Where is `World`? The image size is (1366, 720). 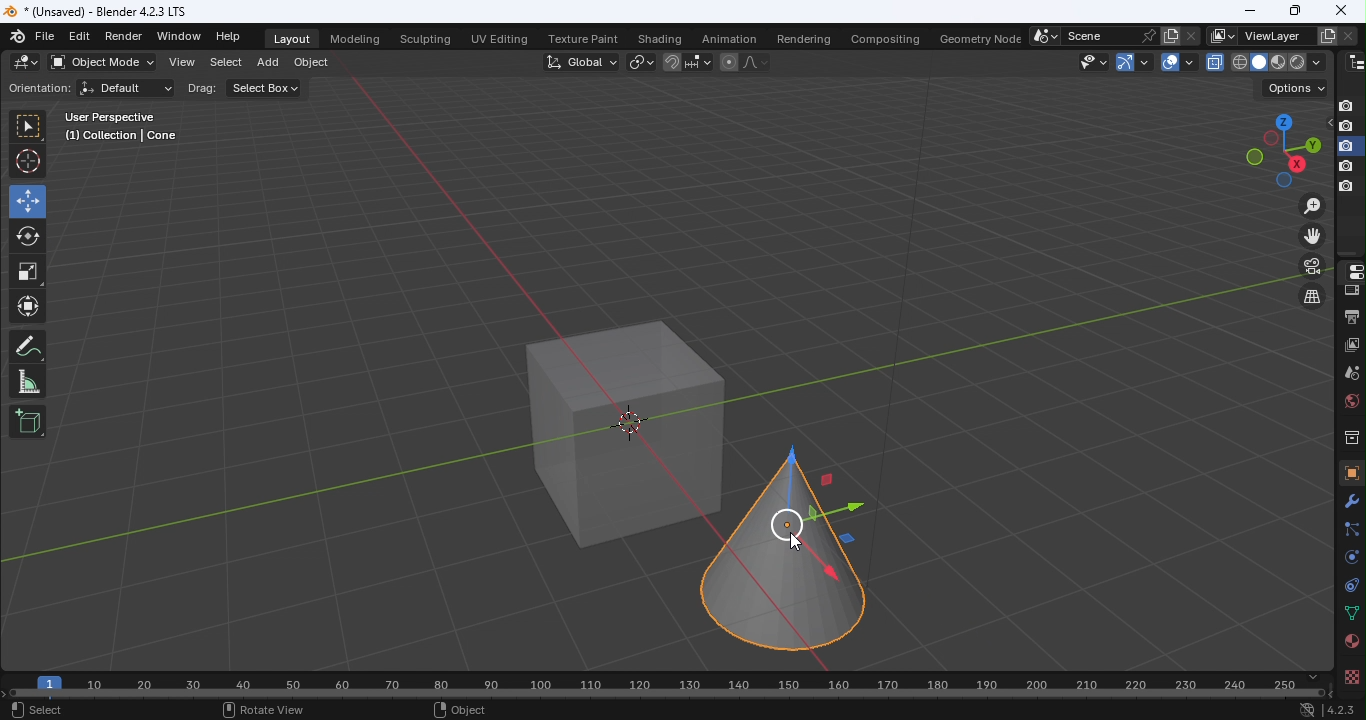 World is located at coordinates (1349, 401).